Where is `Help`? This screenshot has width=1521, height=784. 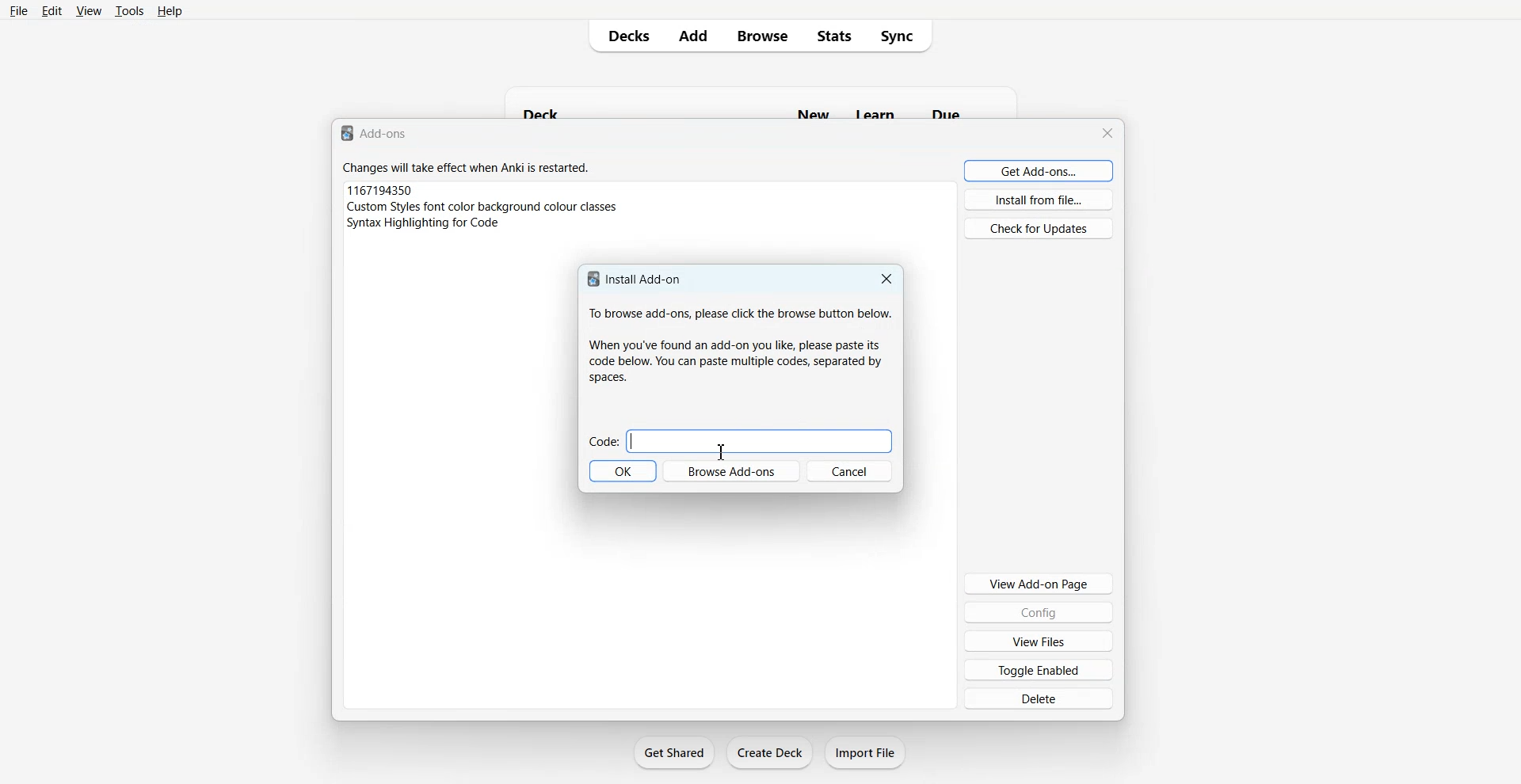 Help is located at coordinates (169, 11).